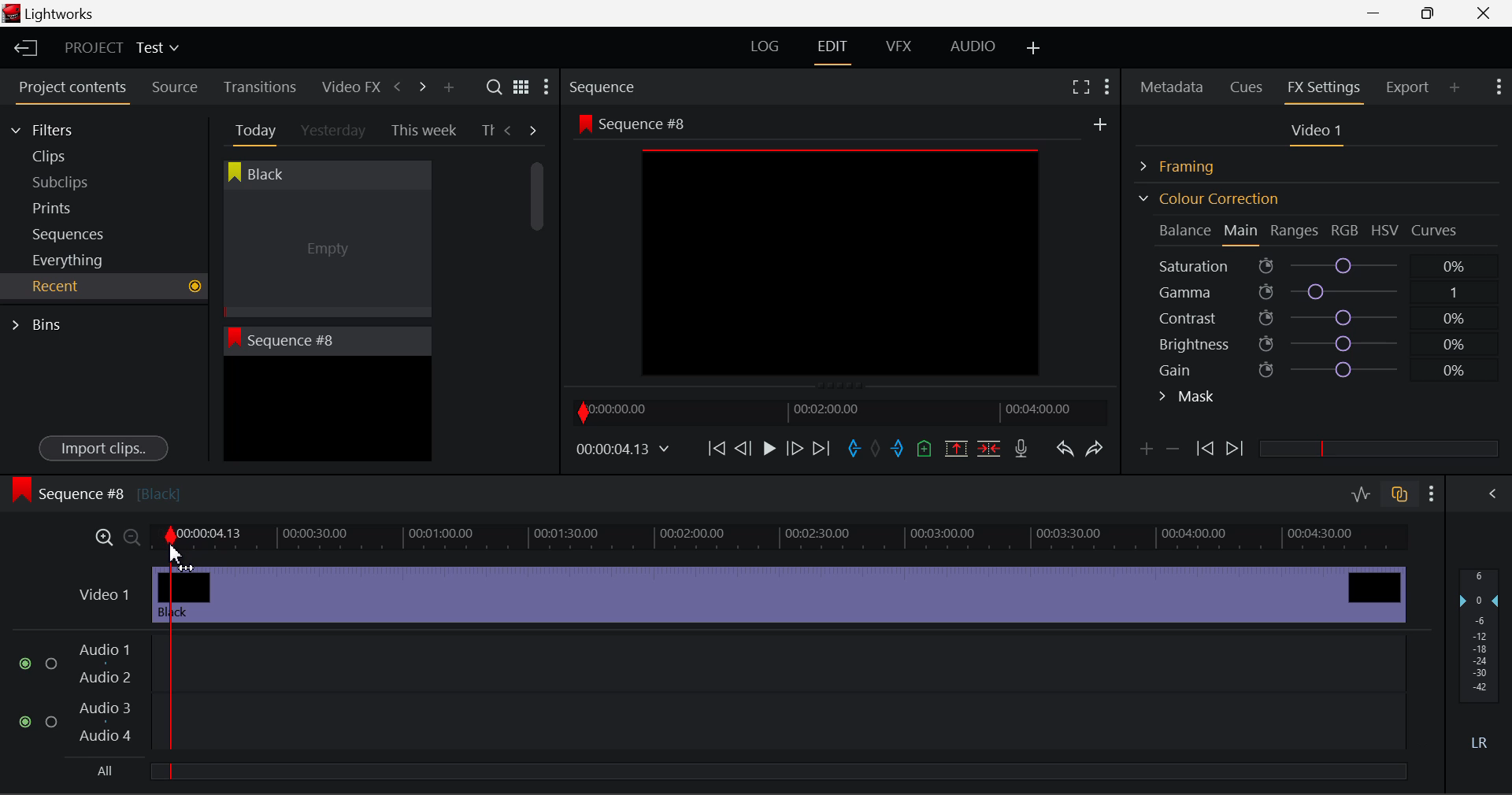  What do you see at coordinates (487, 131) in the screenshot?
I see `Th` at bounding box center [487, 131].